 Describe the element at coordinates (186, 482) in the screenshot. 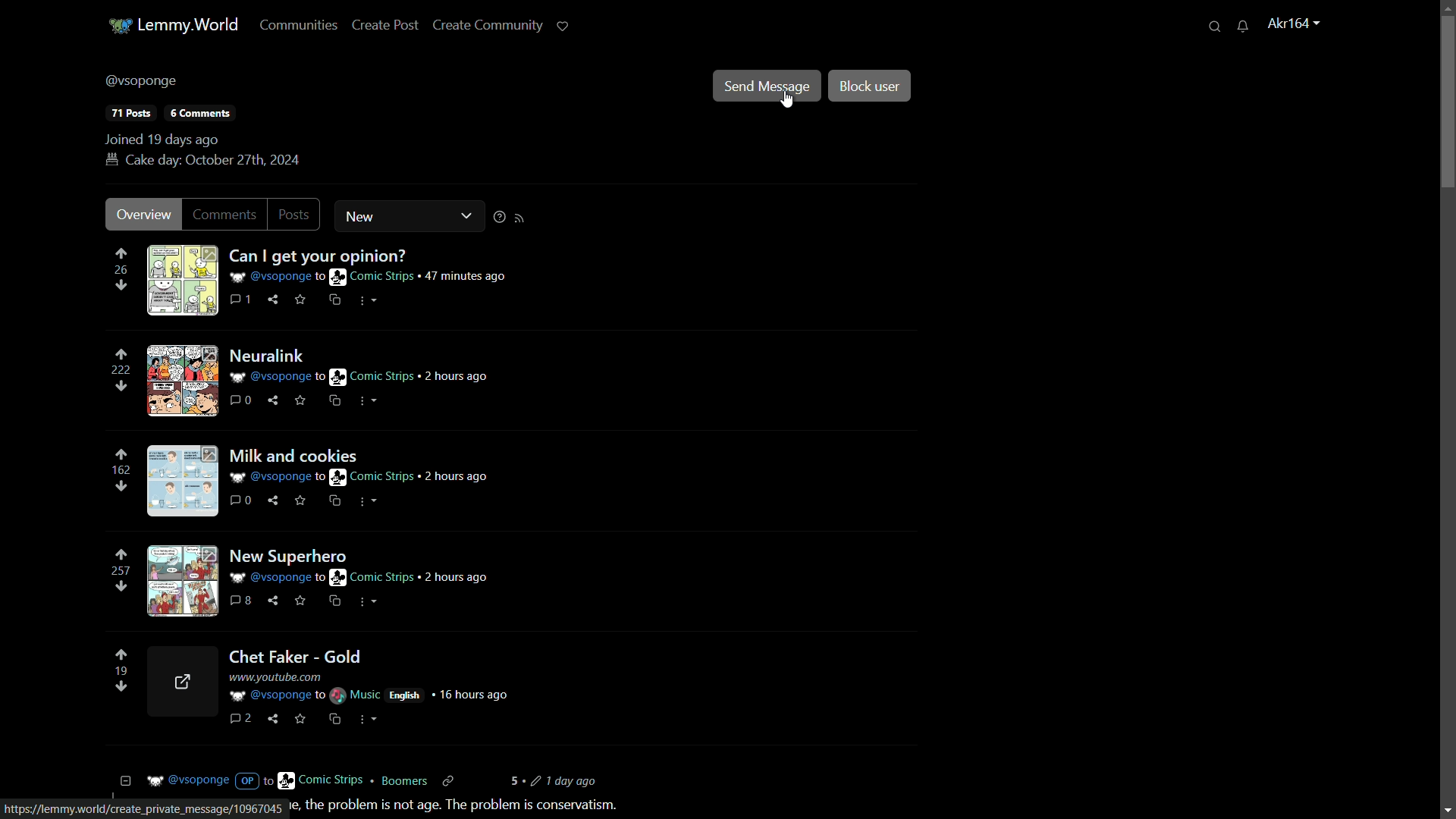

I see `image` at that location.